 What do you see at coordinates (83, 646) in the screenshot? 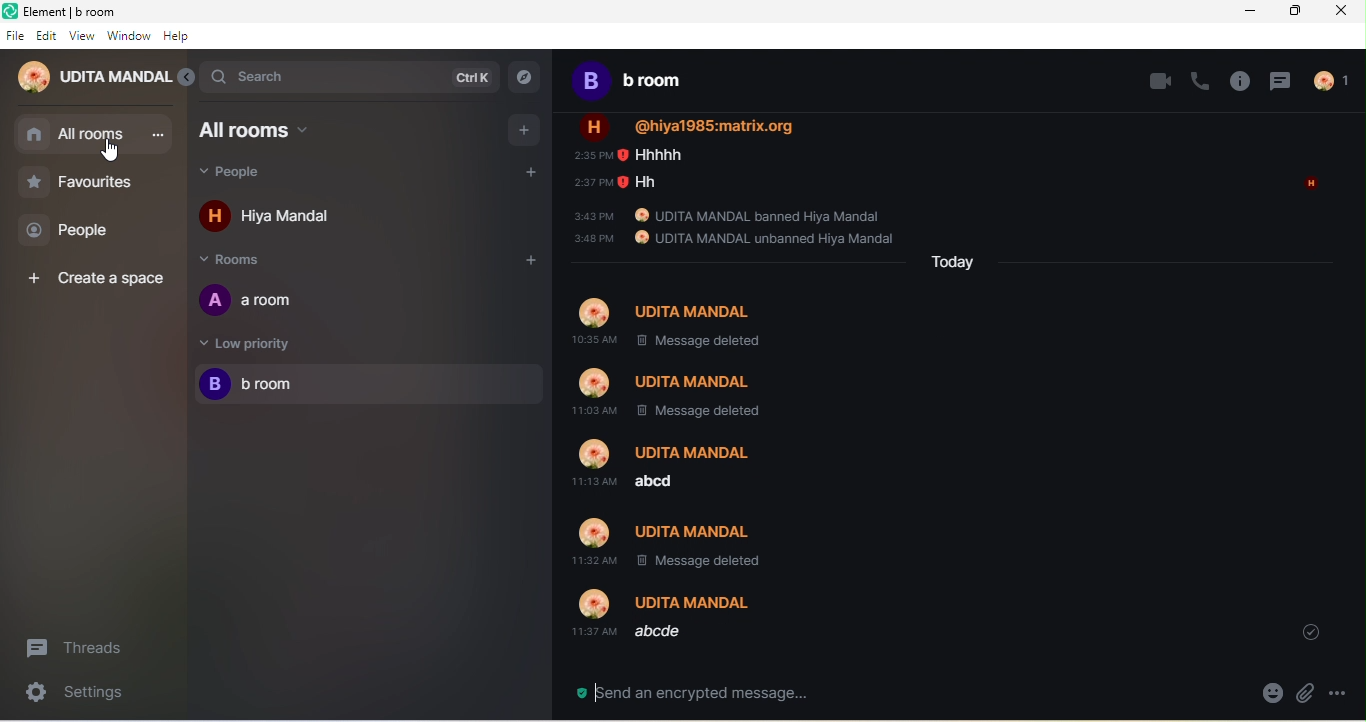
I see `threads` at bounding box center [83, 646].